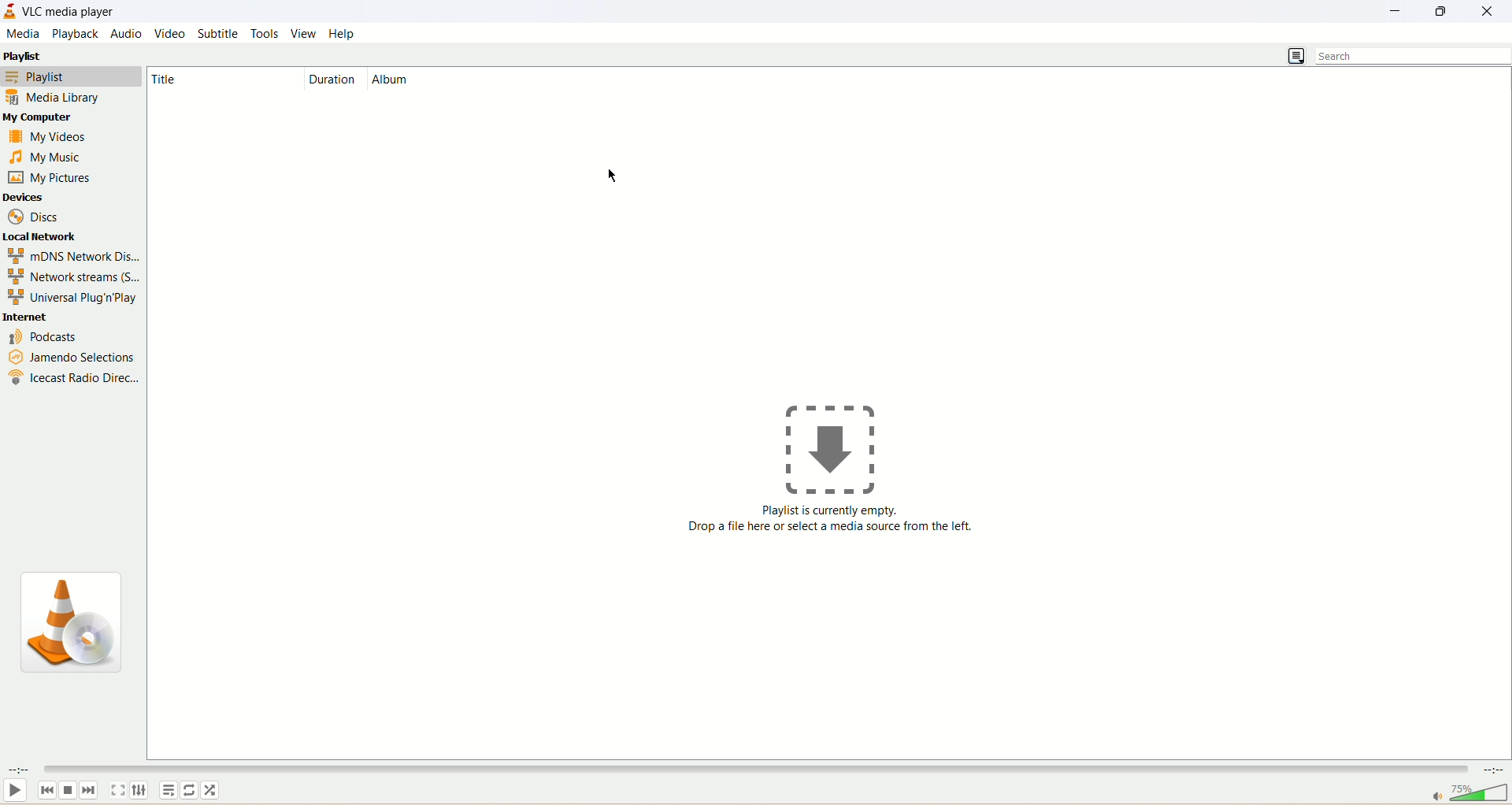 This screenshot has height=805, width=1512. What do you see at coordinates (26, 315) in the screenshot?
I see `internet` at bounding box center [26, 315].